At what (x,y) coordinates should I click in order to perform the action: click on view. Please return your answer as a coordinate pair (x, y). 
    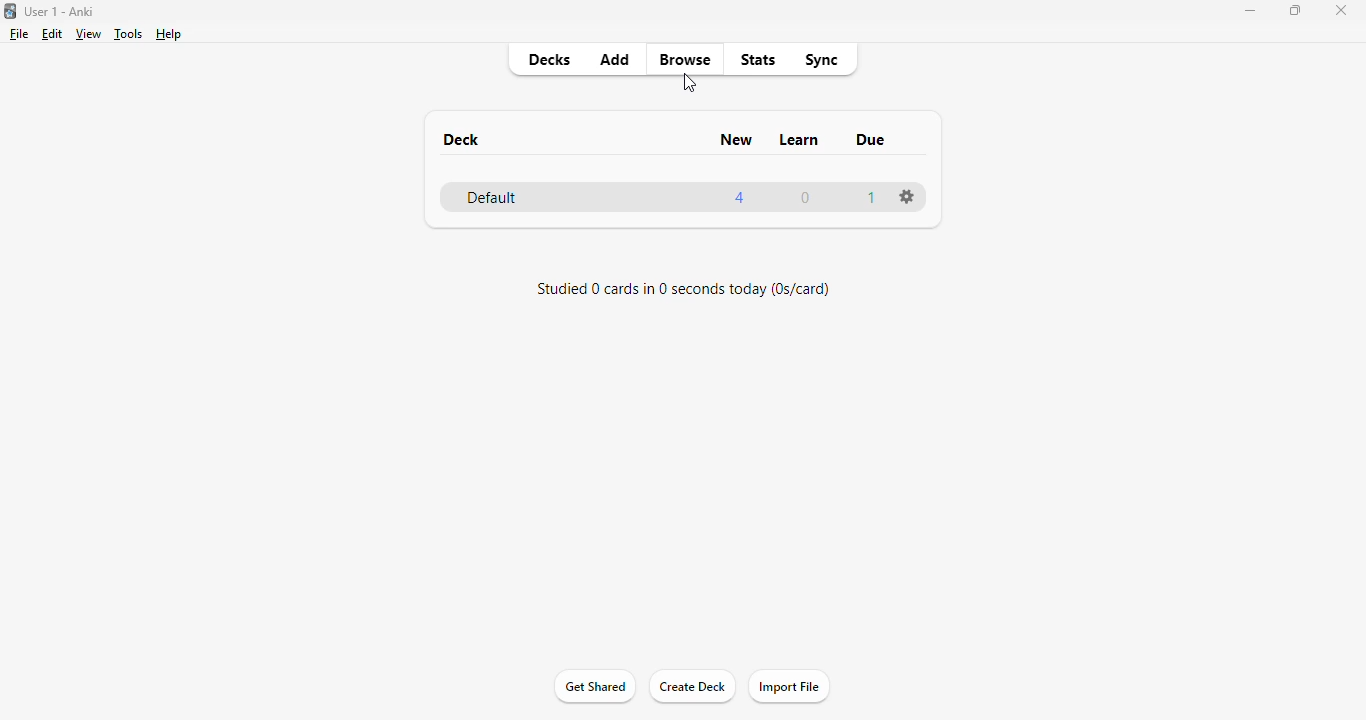
    Looking at the image, I should click on (89, 34).